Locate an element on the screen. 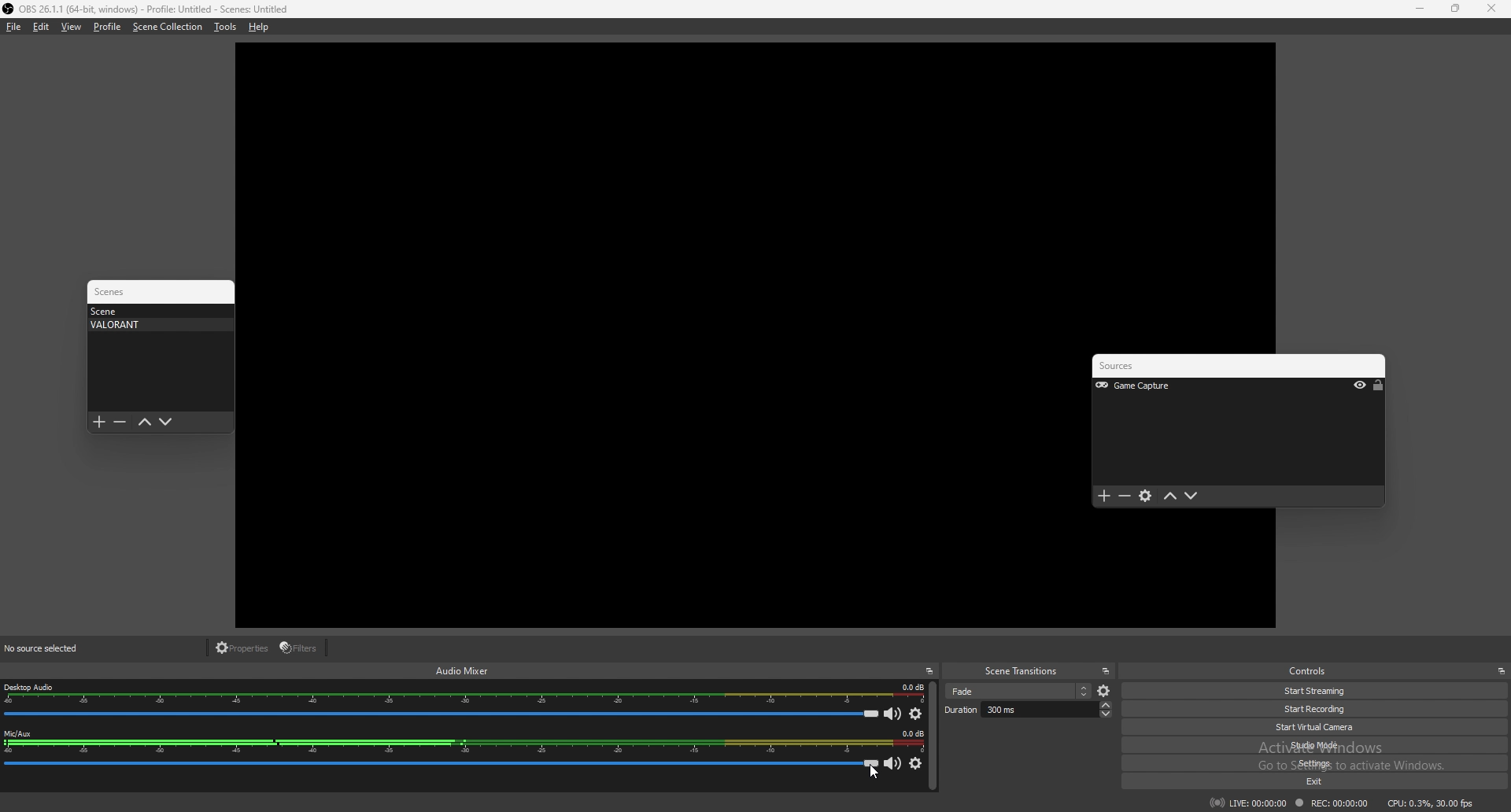 This screenshot has width=1511, height=812. properties is located at coordinates (243, 648).